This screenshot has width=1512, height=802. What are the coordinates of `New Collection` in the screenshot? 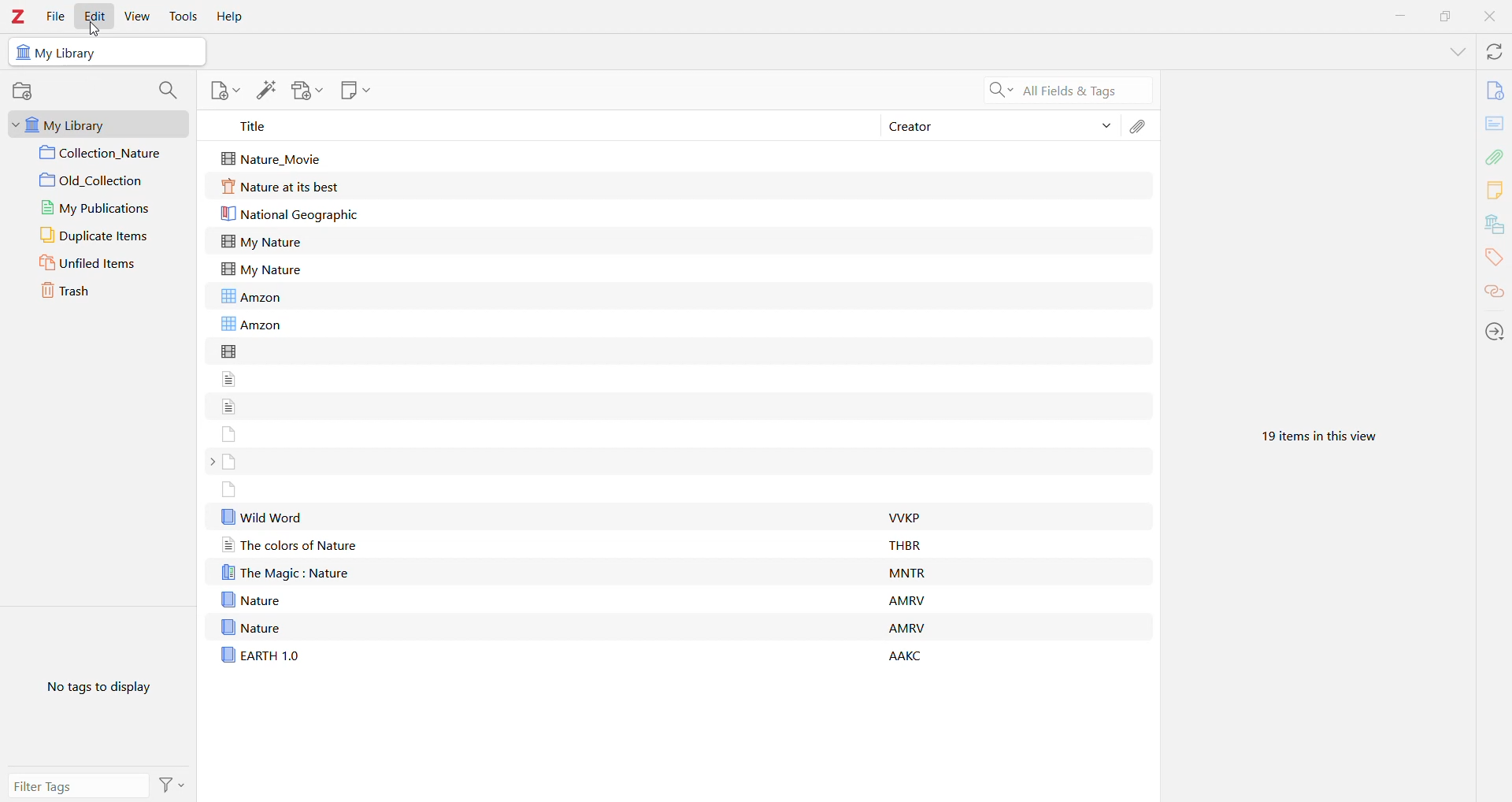 It's located at (26, 91).